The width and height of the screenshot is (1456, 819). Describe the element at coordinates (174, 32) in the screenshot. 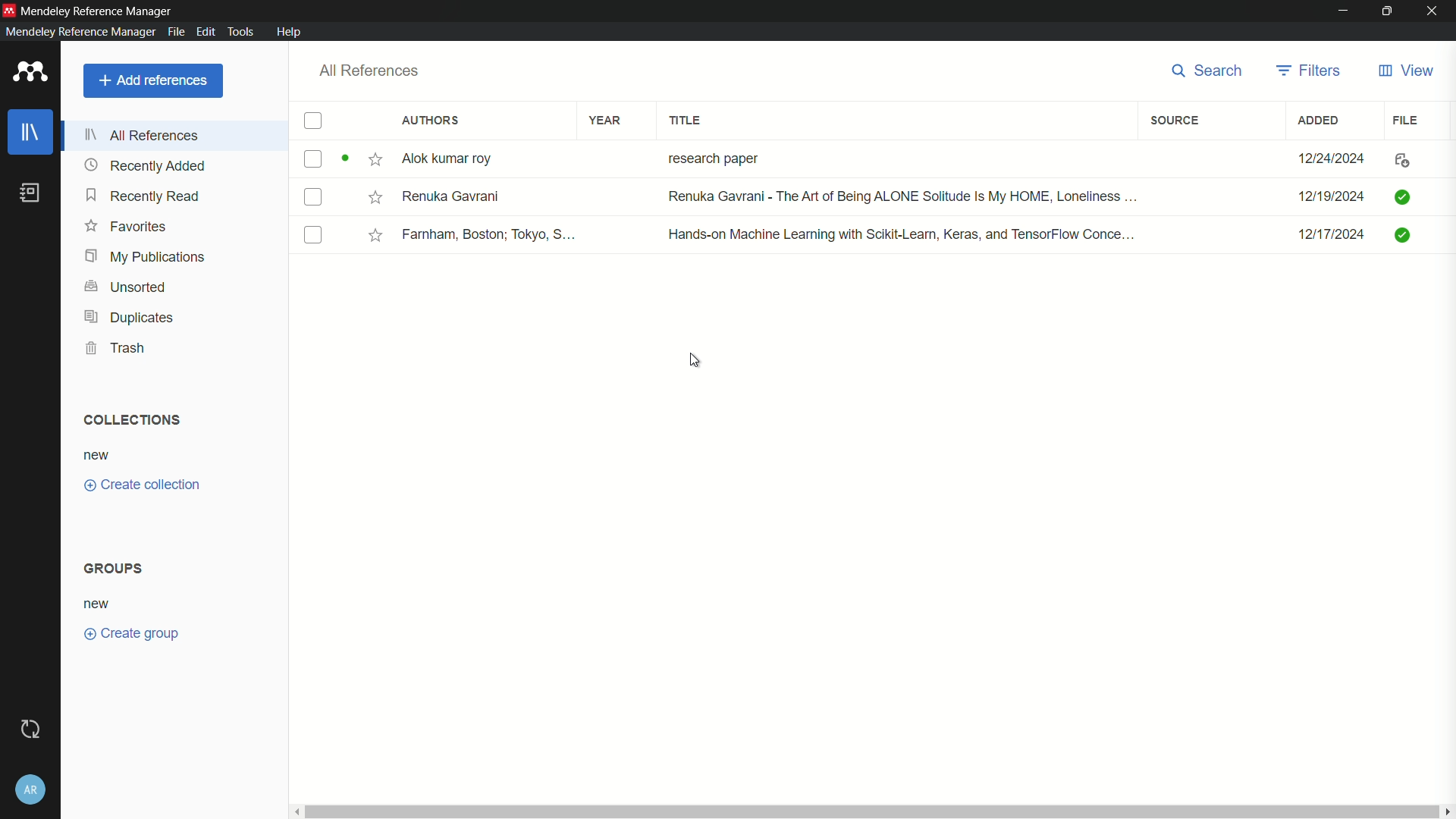

I see `file menu` at that location.